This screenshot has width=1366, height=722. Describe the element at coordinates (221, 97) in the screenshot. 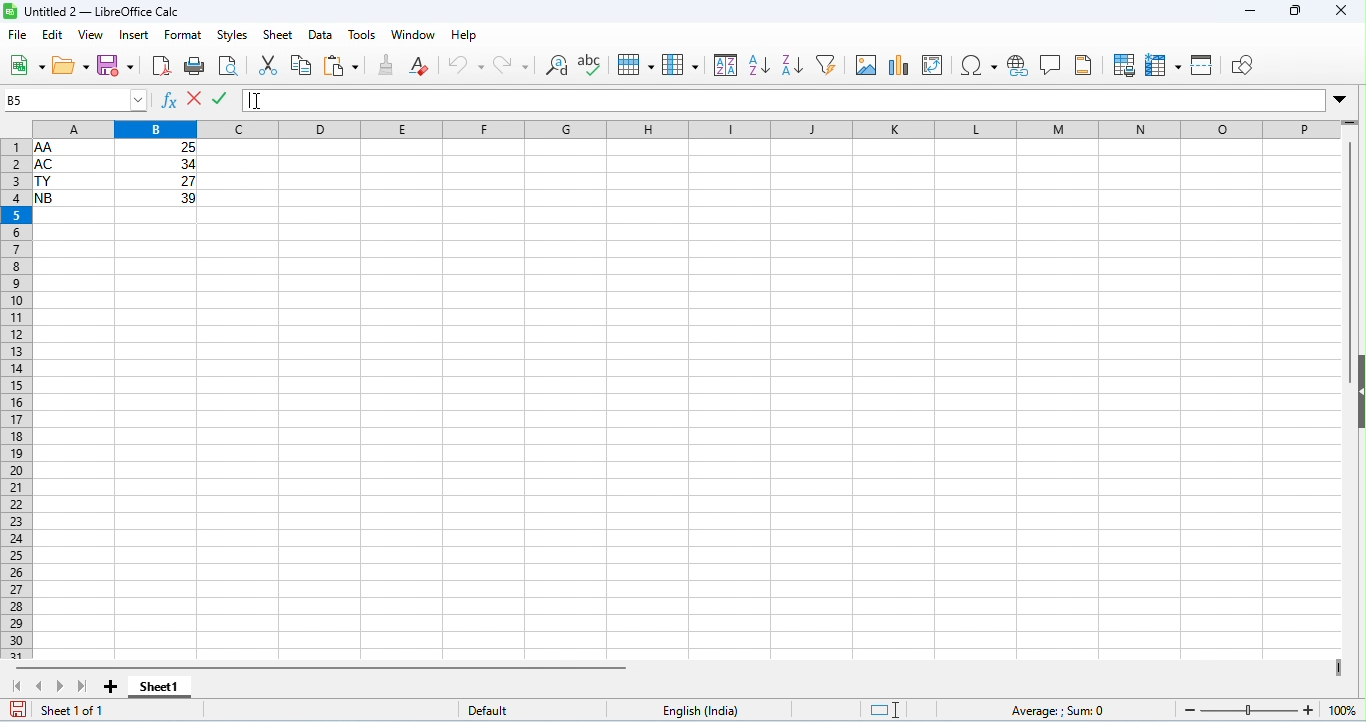

I see `accept` at that location.